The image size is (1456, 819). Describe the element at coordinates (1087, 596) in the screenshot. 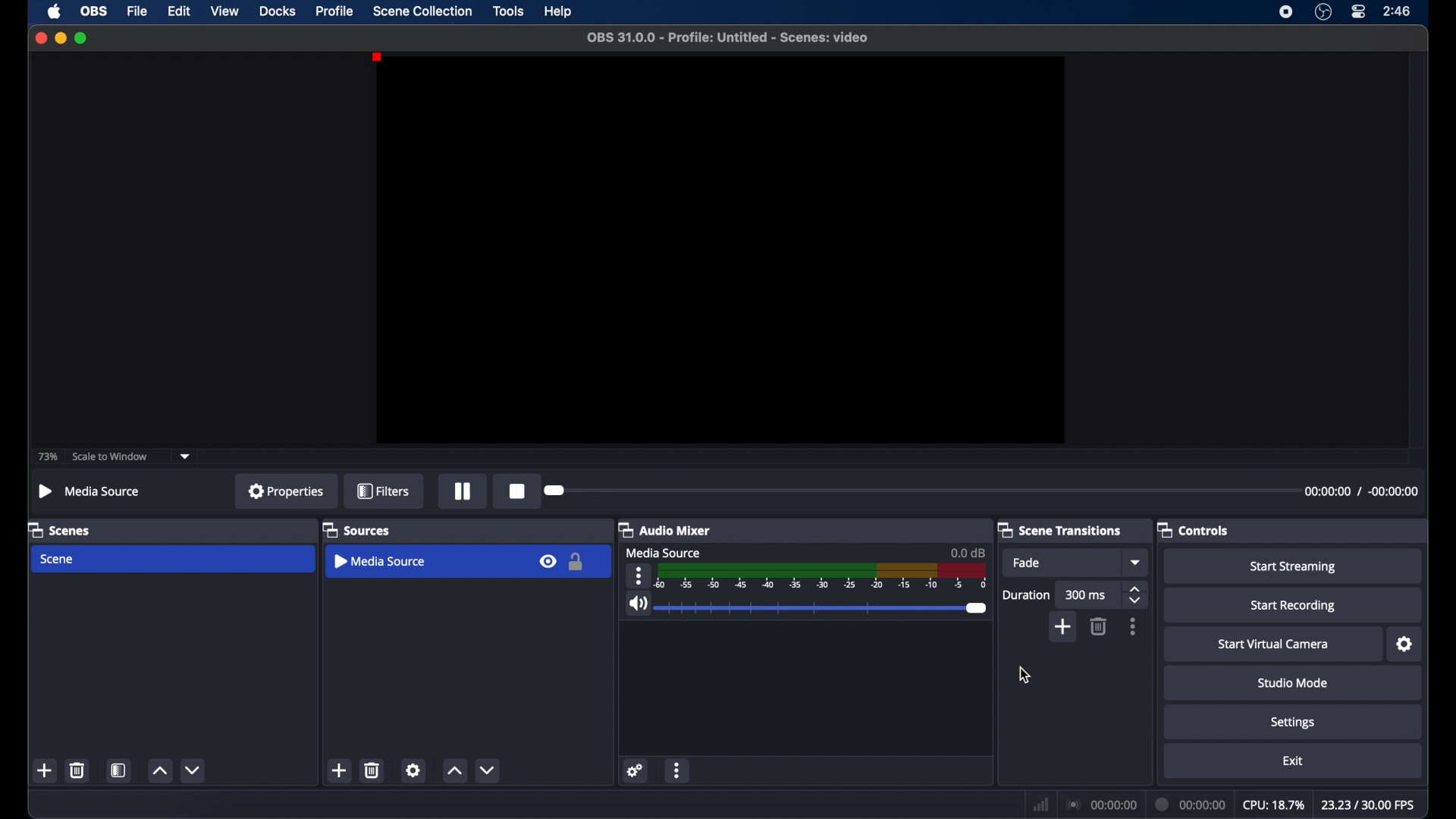

I see `milliseconds` at that location.